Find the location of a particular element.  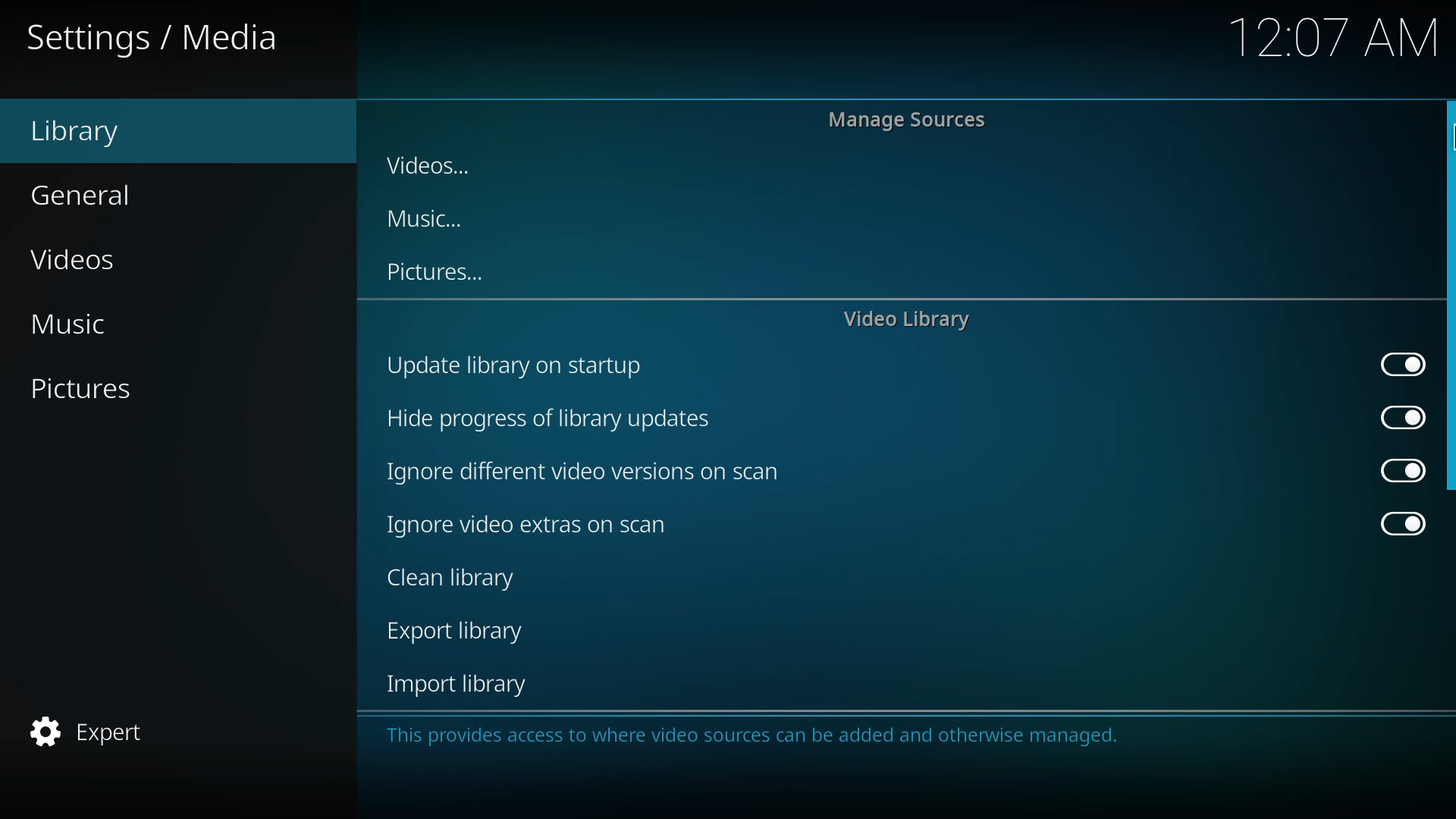

import is located at coordinates (455, 686).